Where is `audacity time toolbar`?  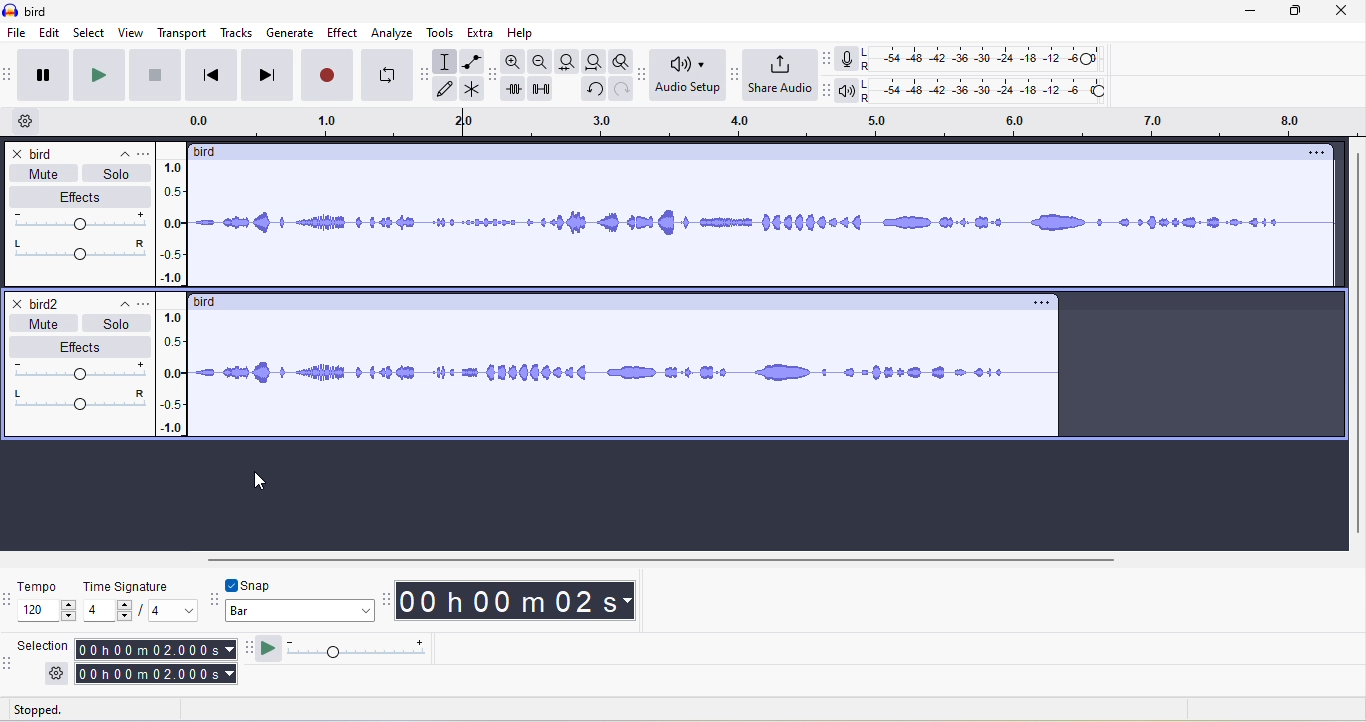
audacity time toolbar is located at coordinates (388, 602).